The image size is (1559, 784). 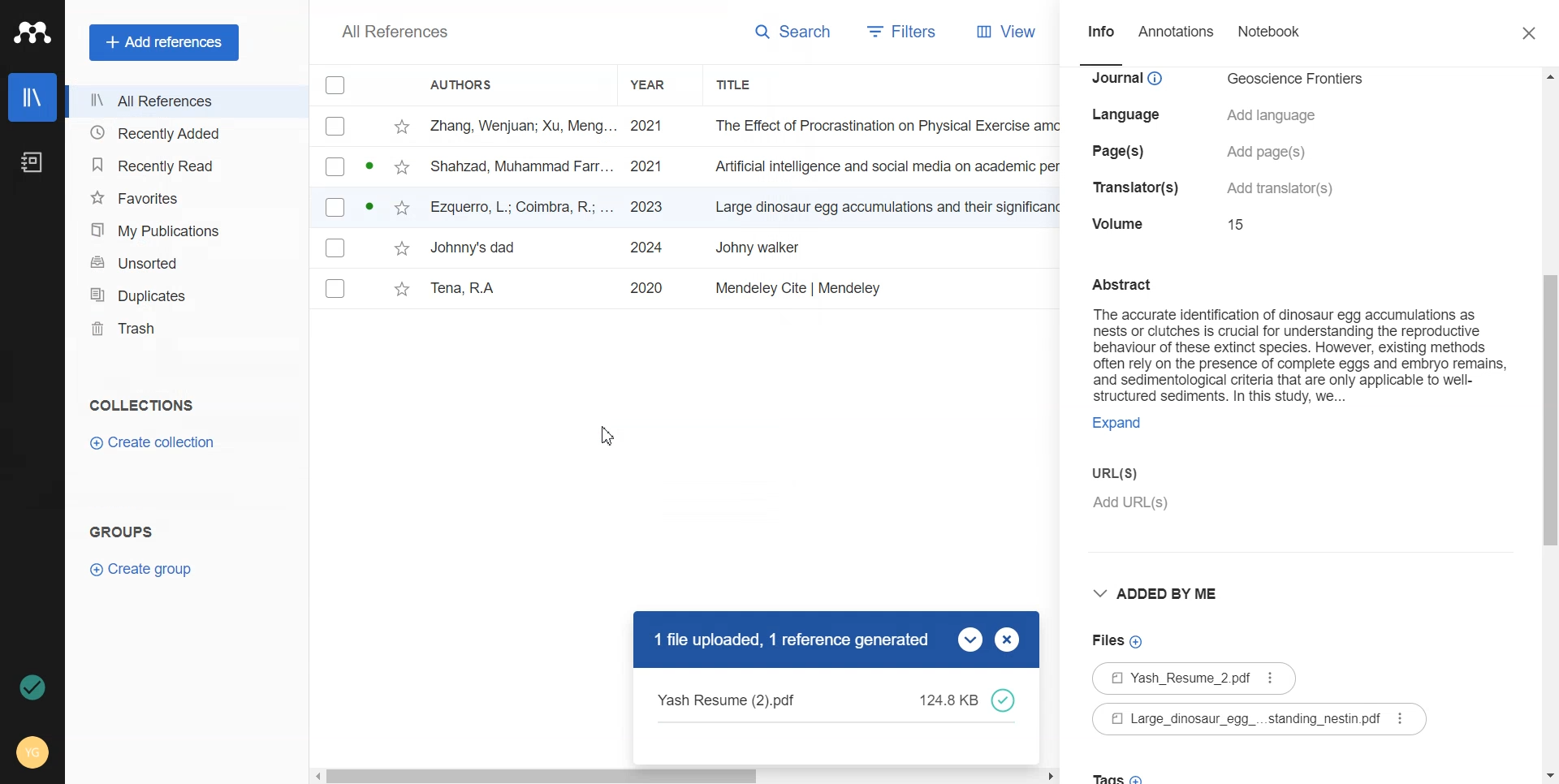 I want to click on Create Collection, so click(x=153, y=443).